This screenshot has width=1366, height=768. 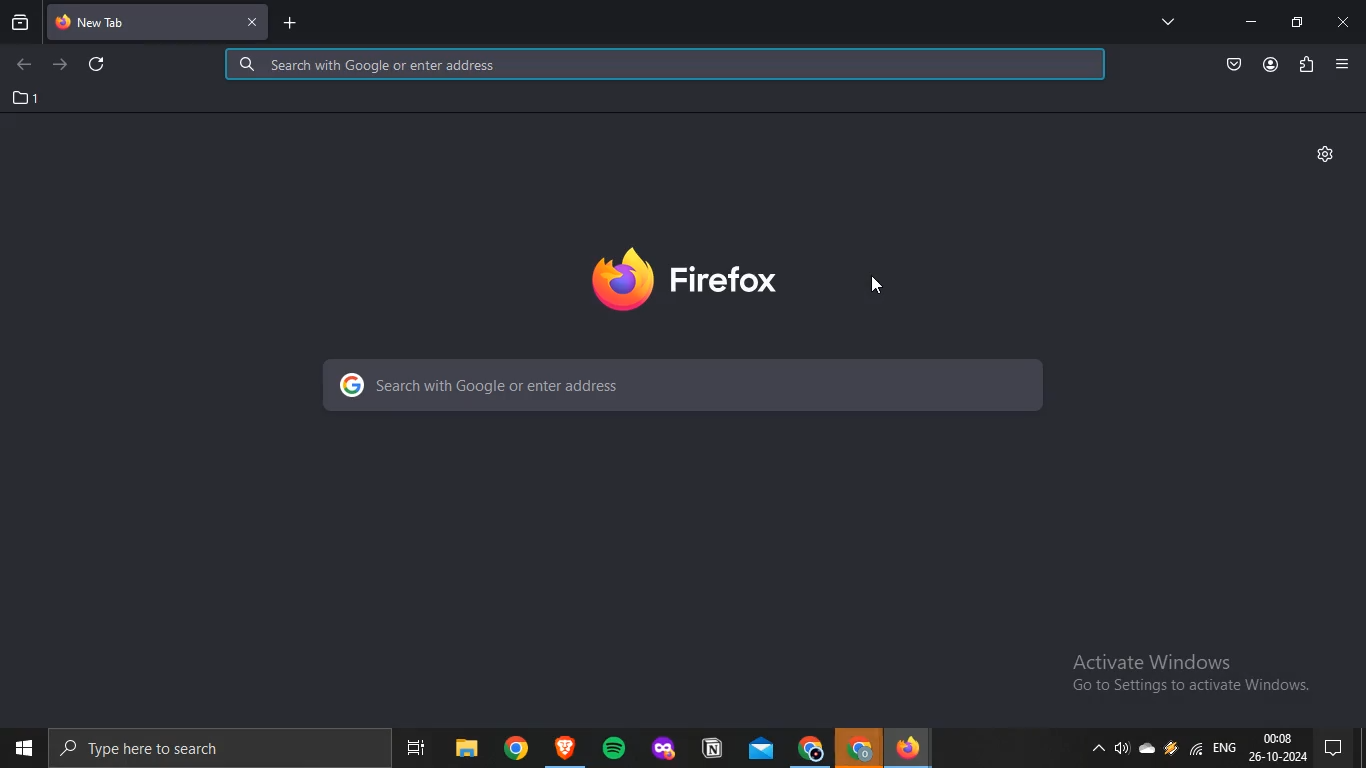 I want to click on extensions, so click(x=1307, y=66).